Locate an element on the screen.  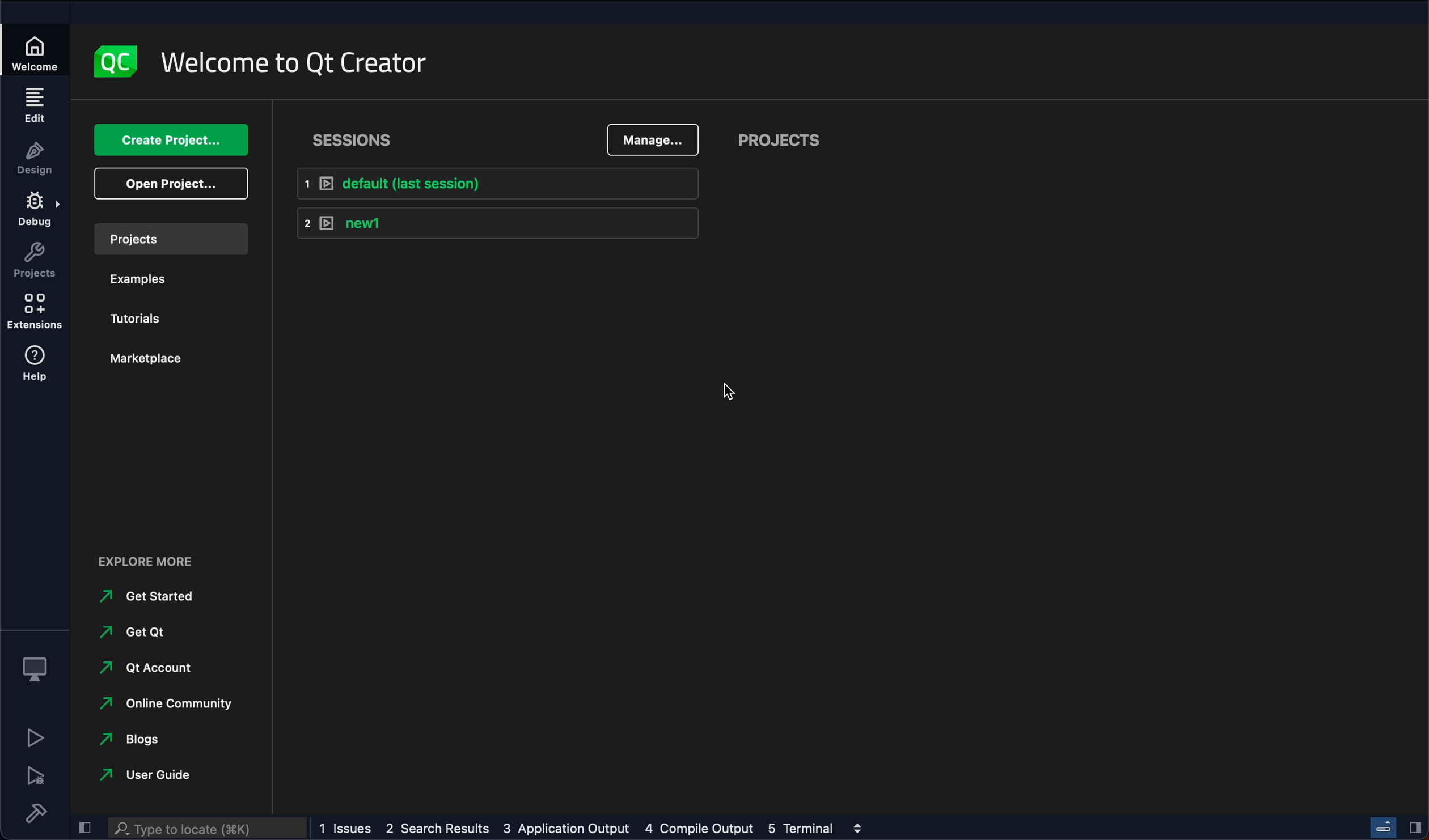
project is located at coordinates (173, 238).